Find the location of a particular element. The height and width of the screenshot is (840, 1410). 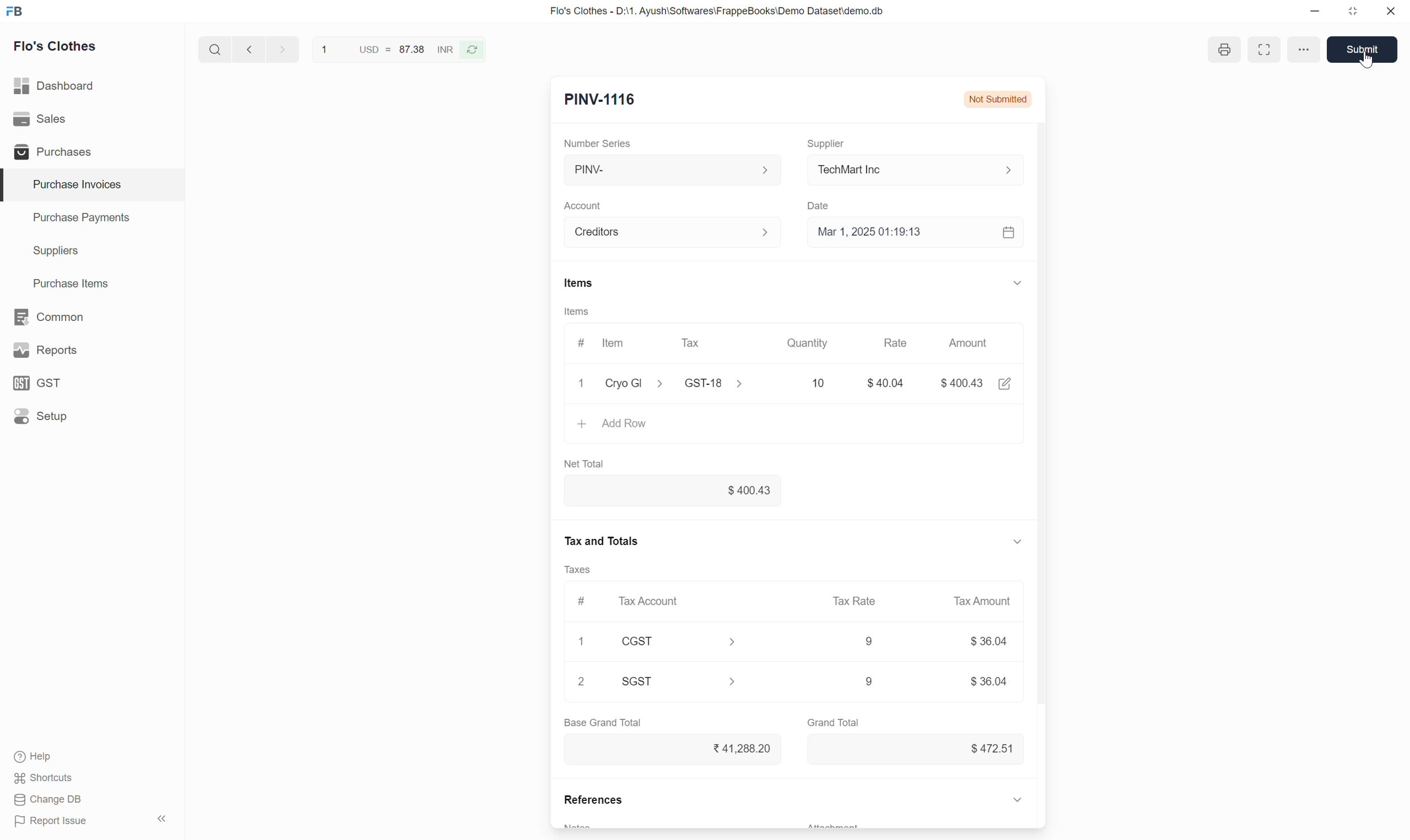

$40.04 is located at coordinates (673, 491).